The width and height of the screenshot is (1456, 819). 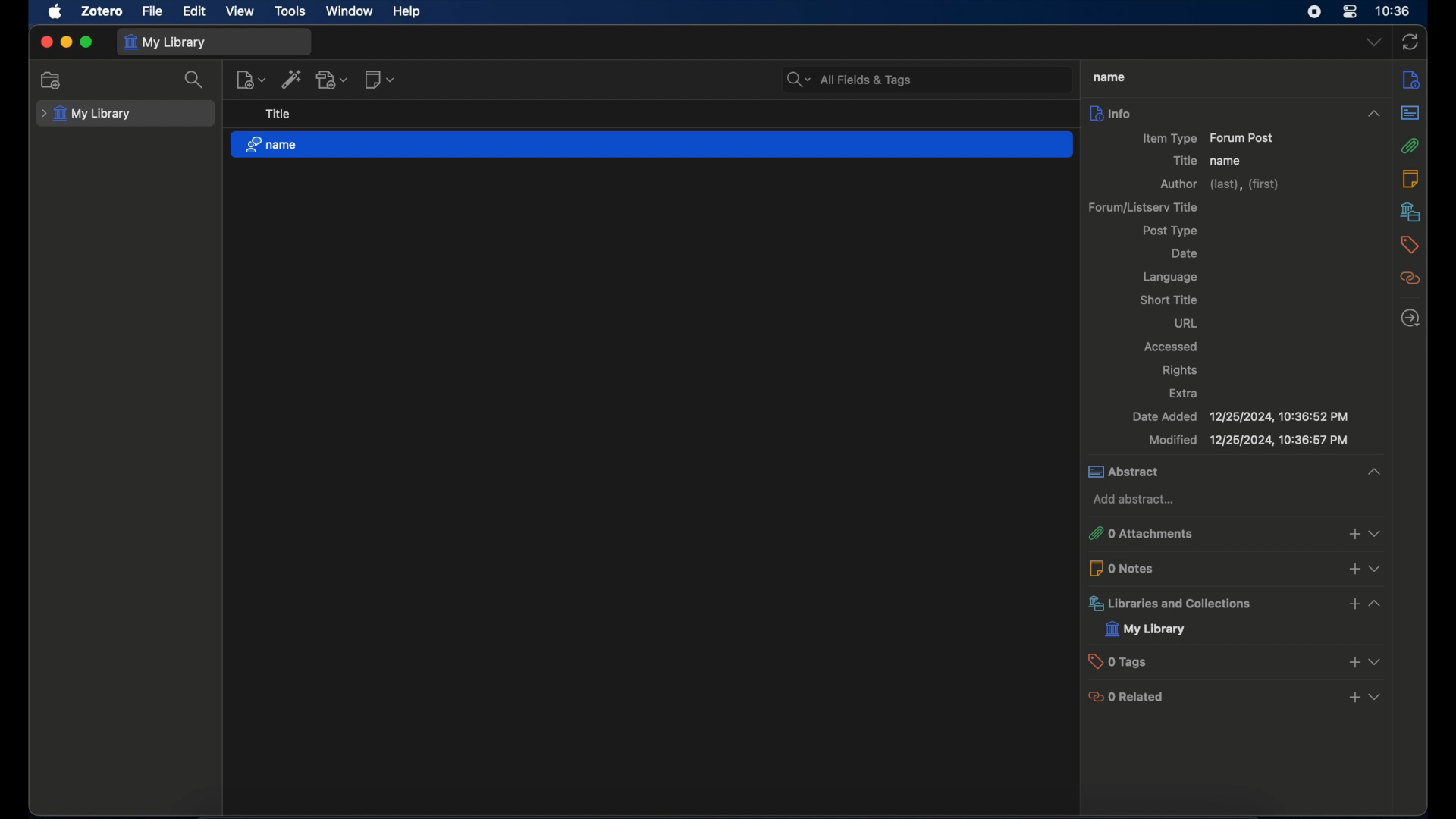 What do you see at coordinates (65, 42) in the screenshot?
I see `minimize` at bounding box center [65, 42].